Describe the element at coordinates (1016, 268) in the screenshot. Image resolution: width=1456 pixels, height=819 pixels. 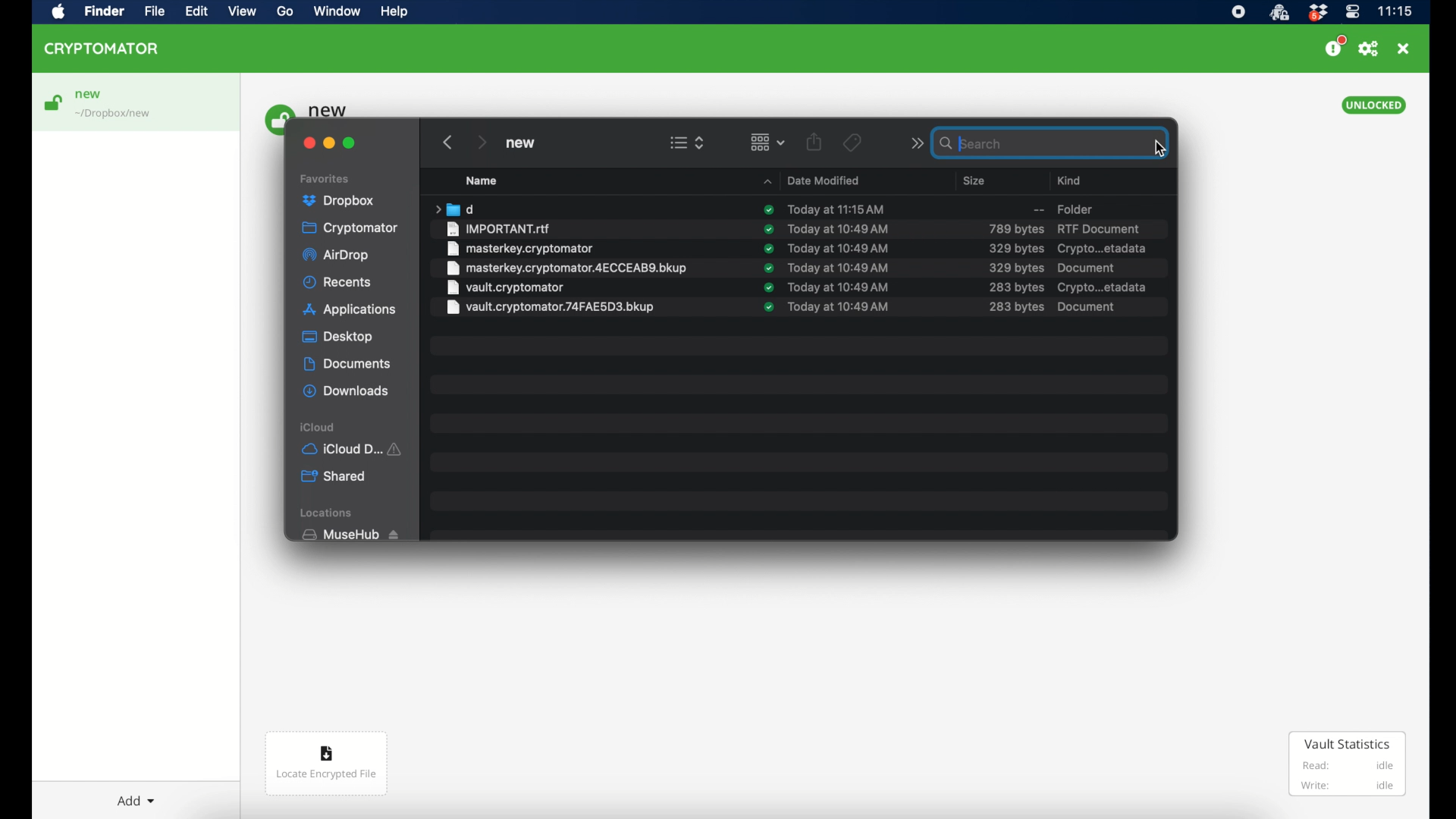
I see `size` at that location.